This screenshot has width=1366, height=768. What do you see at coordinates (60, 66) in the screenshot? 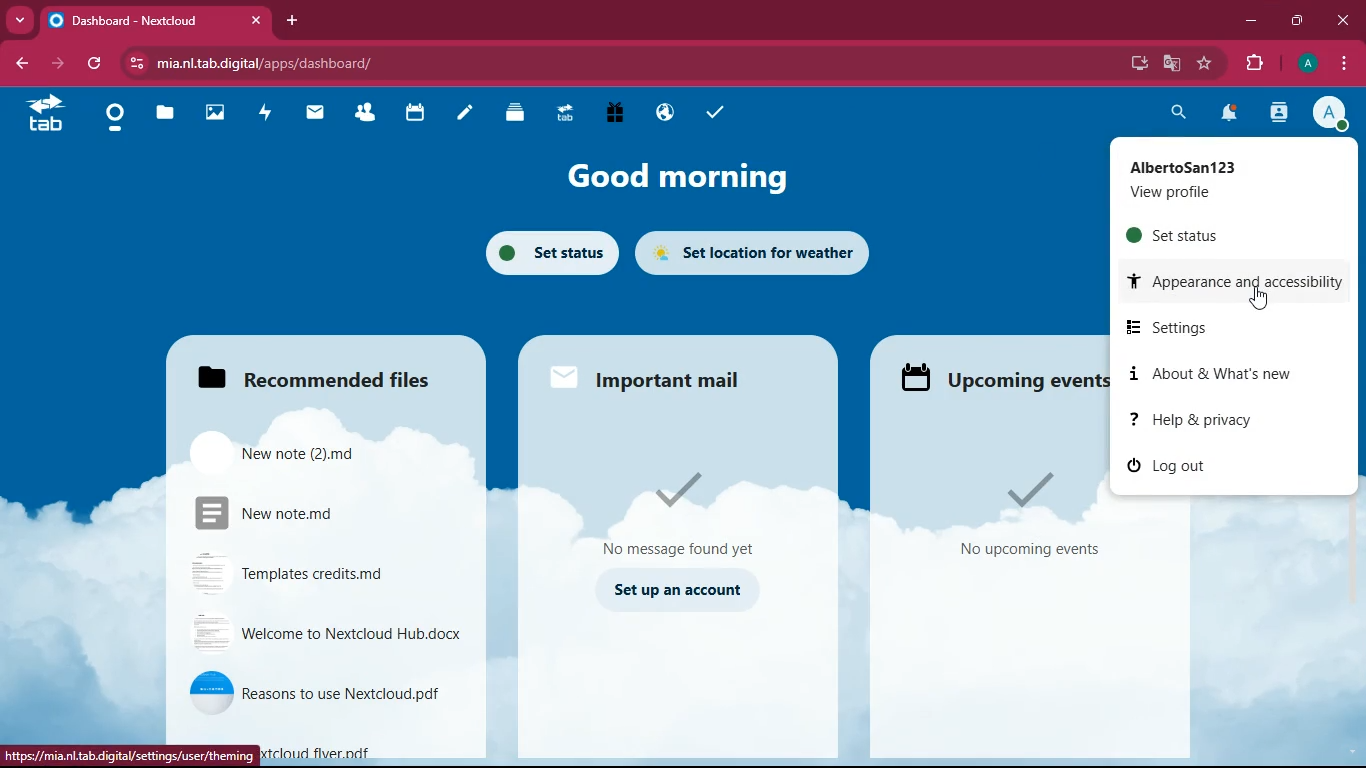
I see `forward` at bounding box center [60, 66].